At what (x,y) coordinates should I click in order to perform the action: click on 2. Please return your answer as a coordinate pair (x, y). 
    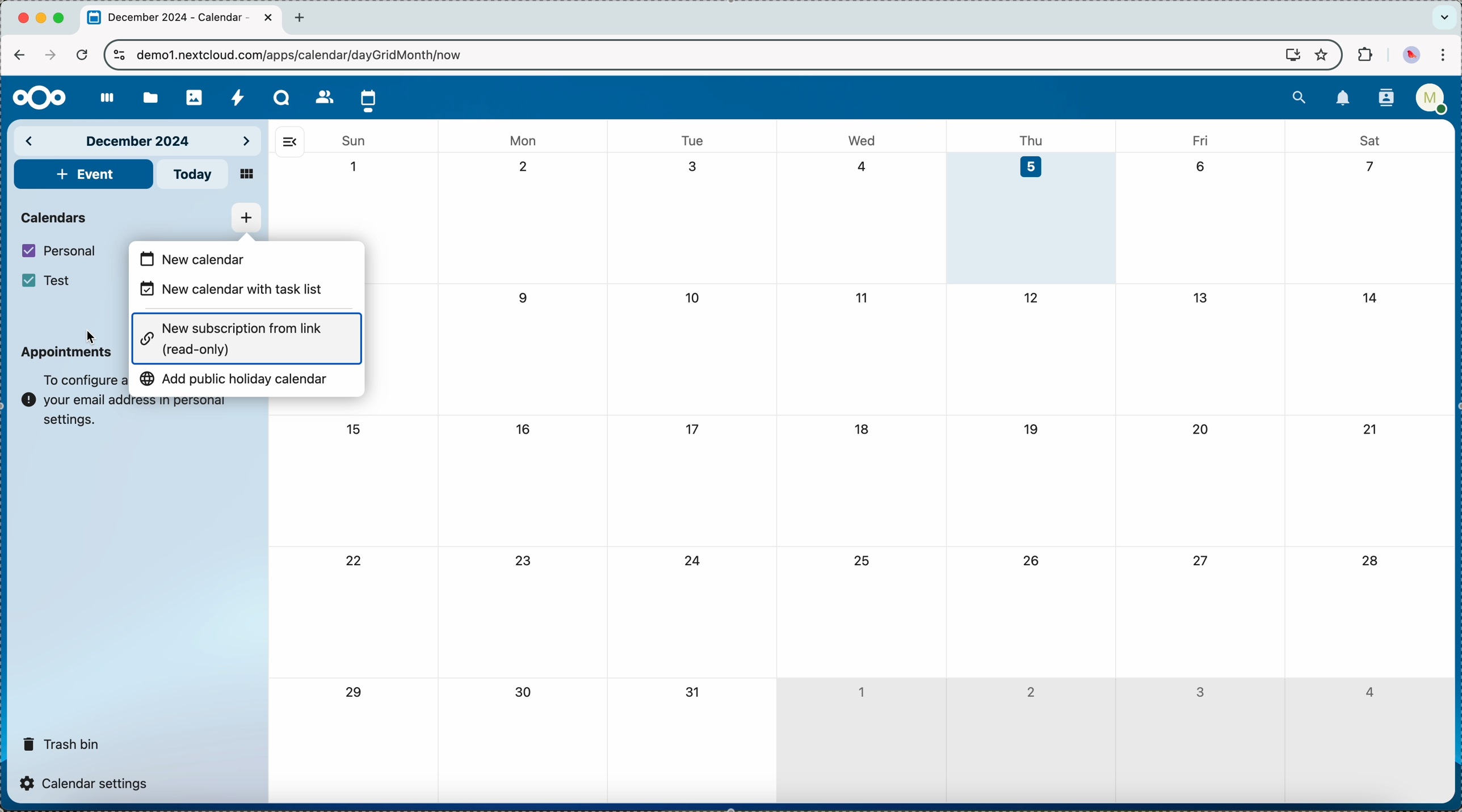
    Looking at the image, I should click on (528, 167).